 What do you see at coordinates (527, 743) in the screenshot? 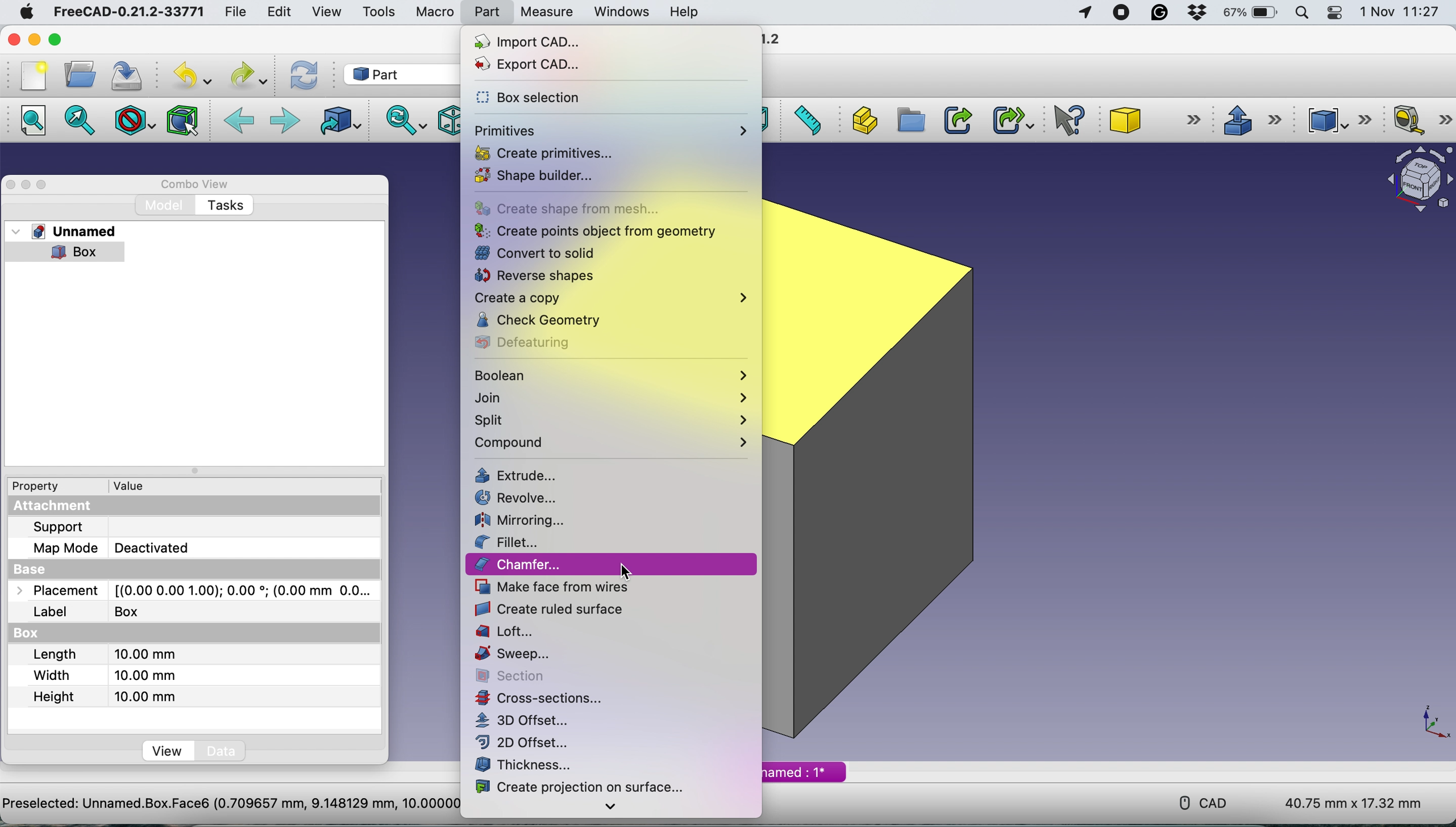
I see `2d offset` at bounding box center [527, 743].